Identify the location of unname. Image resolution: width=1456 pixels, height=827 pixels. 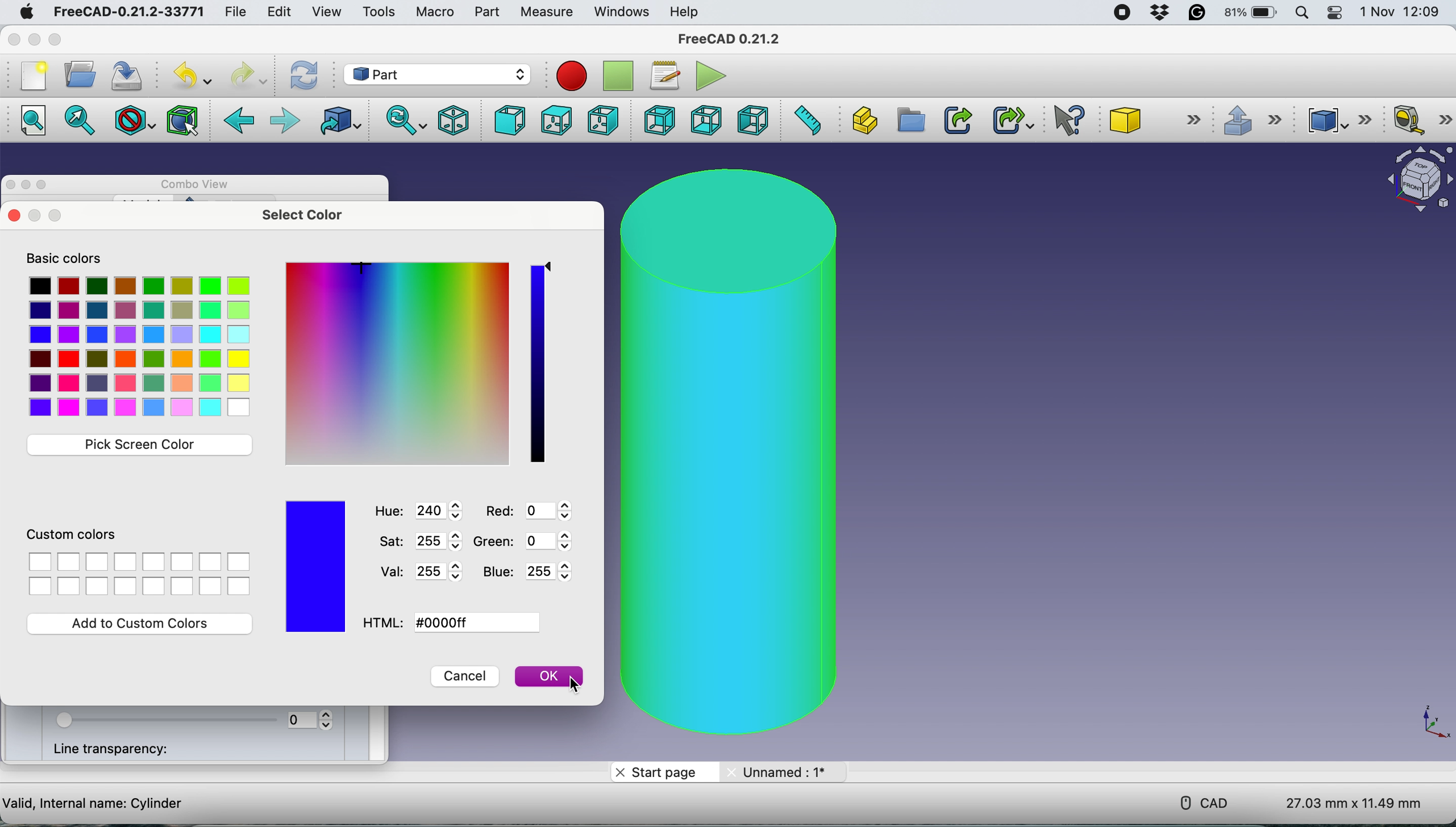
(780, 773).